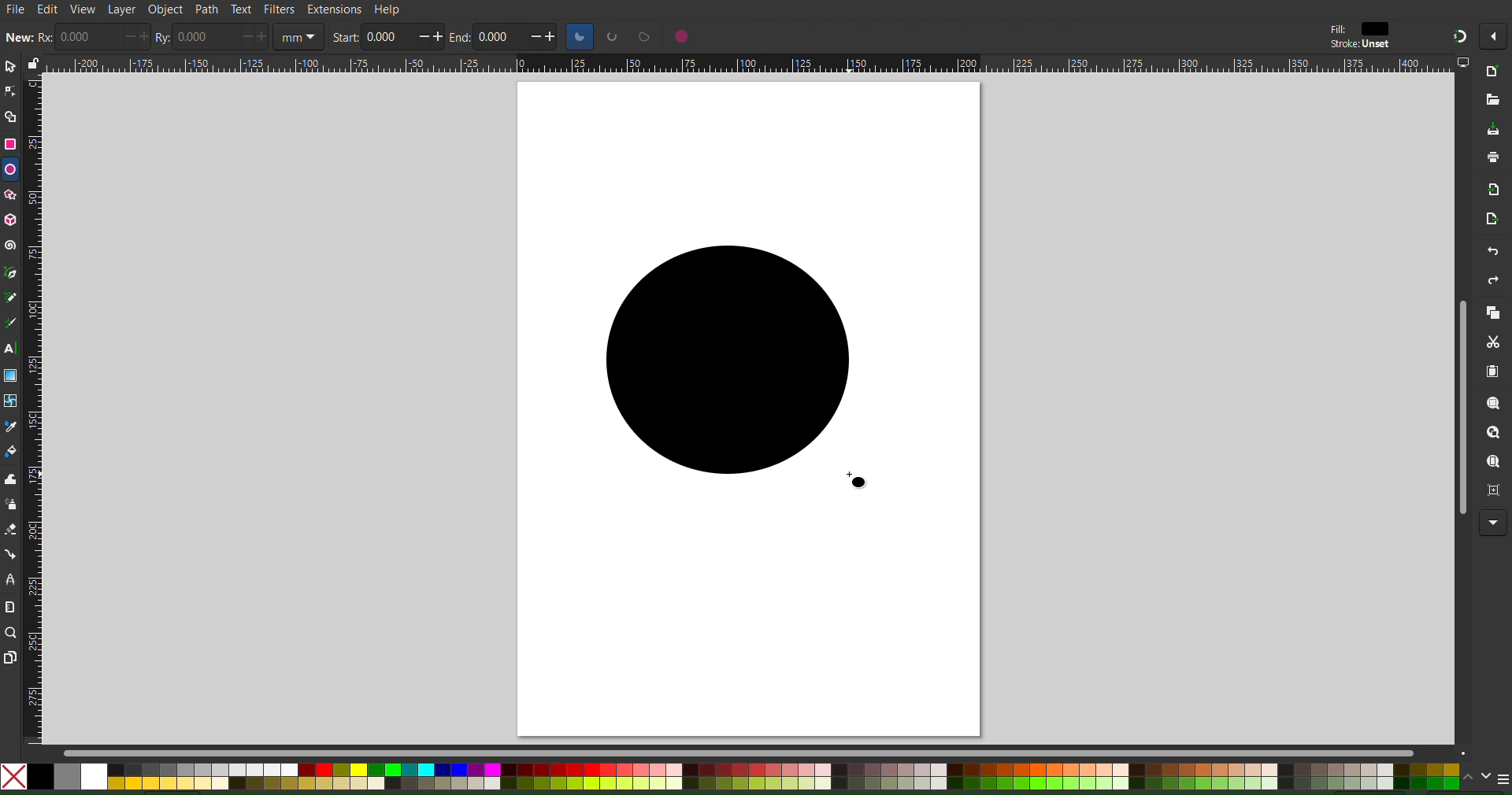 The height and width of the screenshot is (795, 1512). I want to click on Tweak Tool, so click(10, 480).